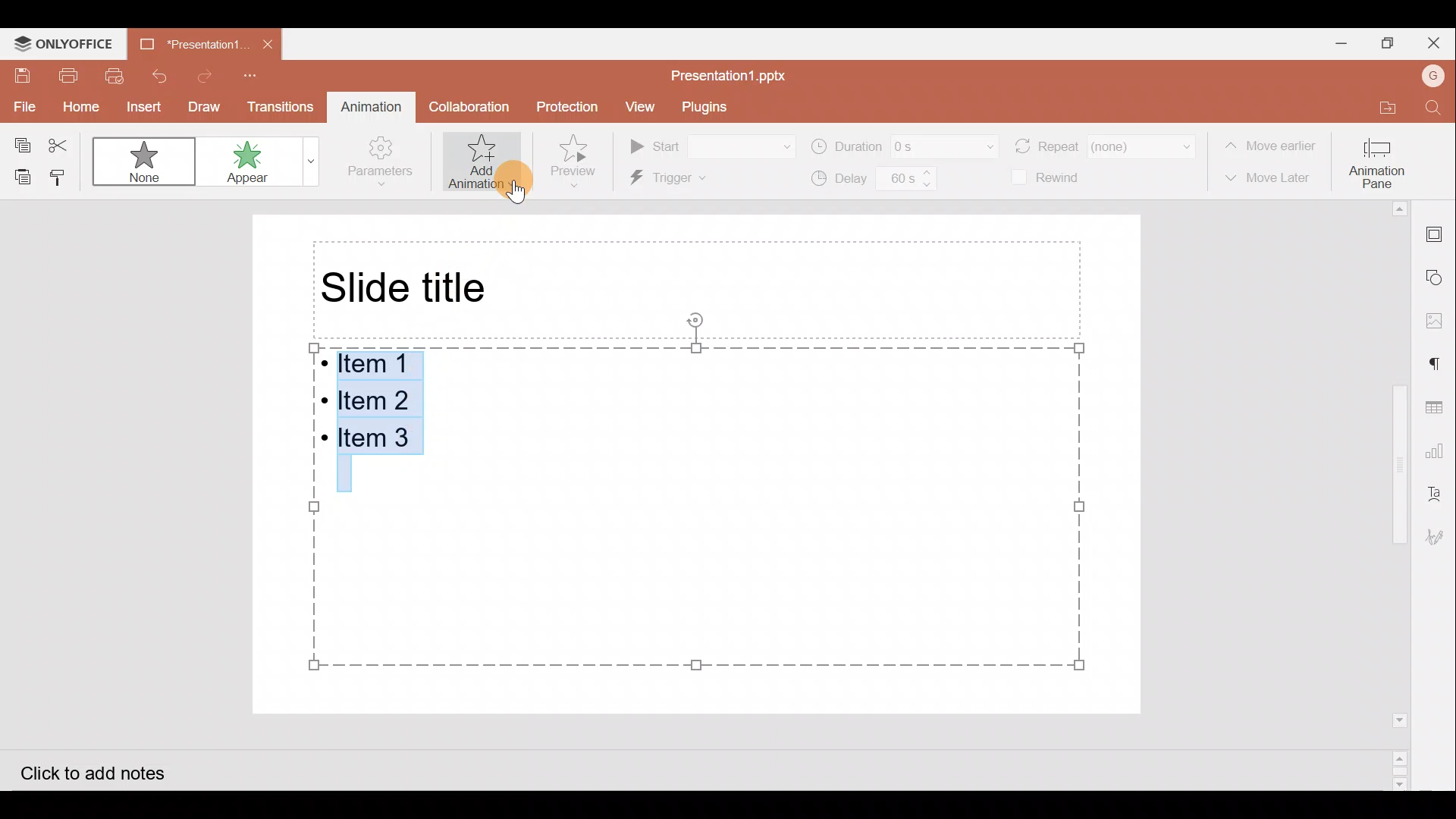 Image resolution: width=1456 pixels, height=819 pixels. I want to click on View, so click(642, 106).